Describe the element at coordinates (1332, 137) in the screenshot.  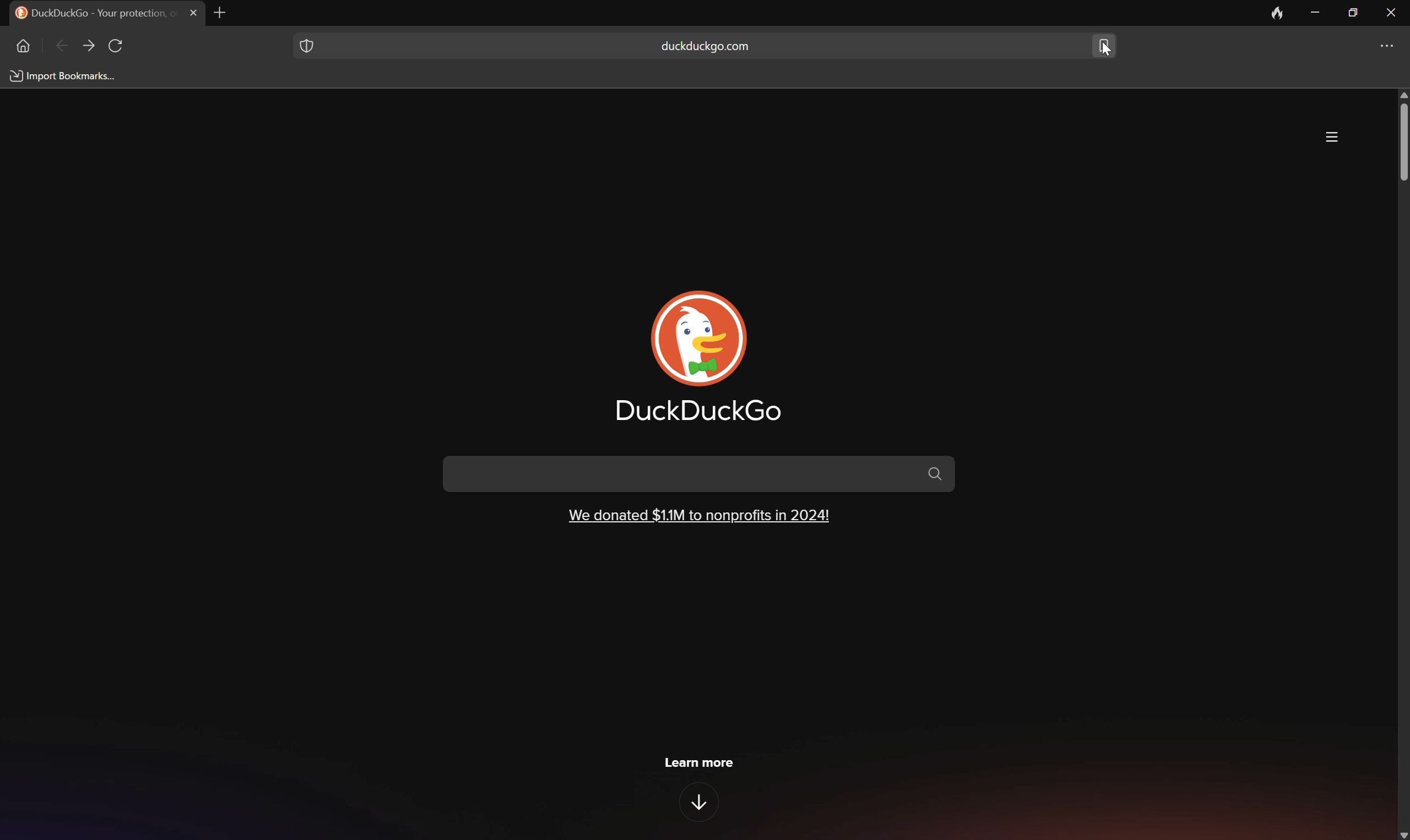
I see `More` at that location.